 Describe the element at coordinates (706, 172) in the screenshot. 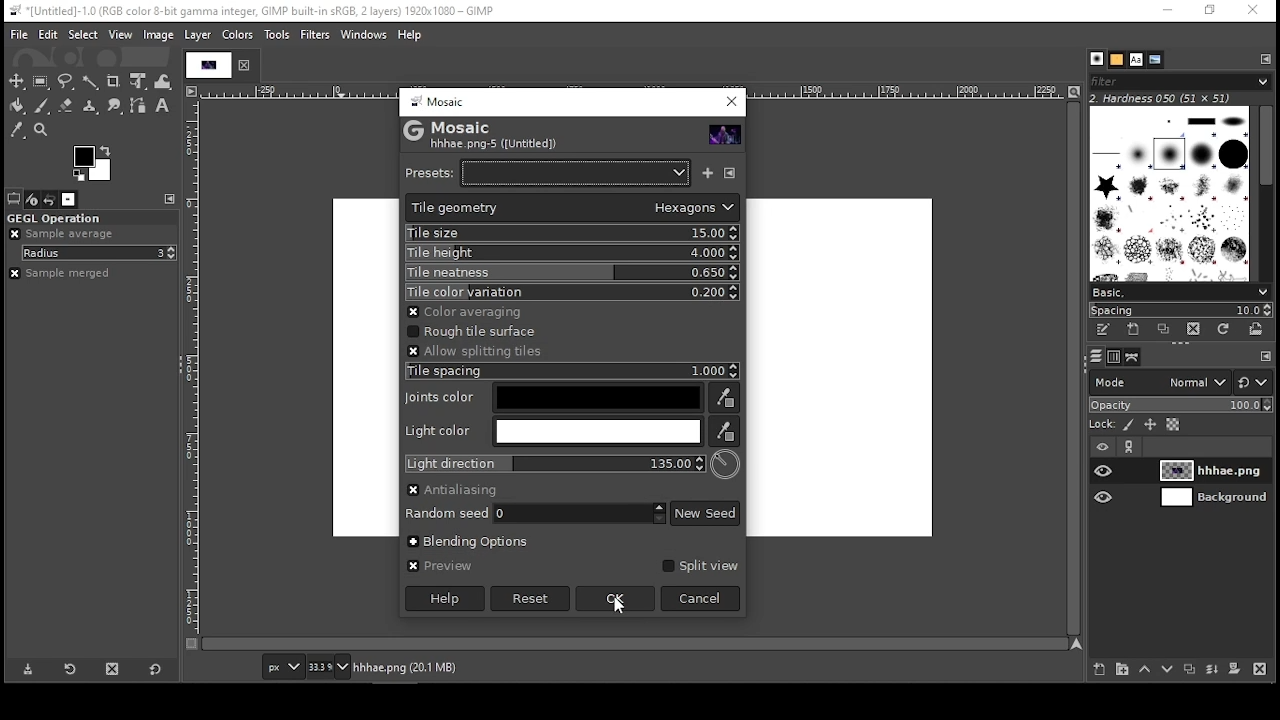

I see `save named preset` at that location.